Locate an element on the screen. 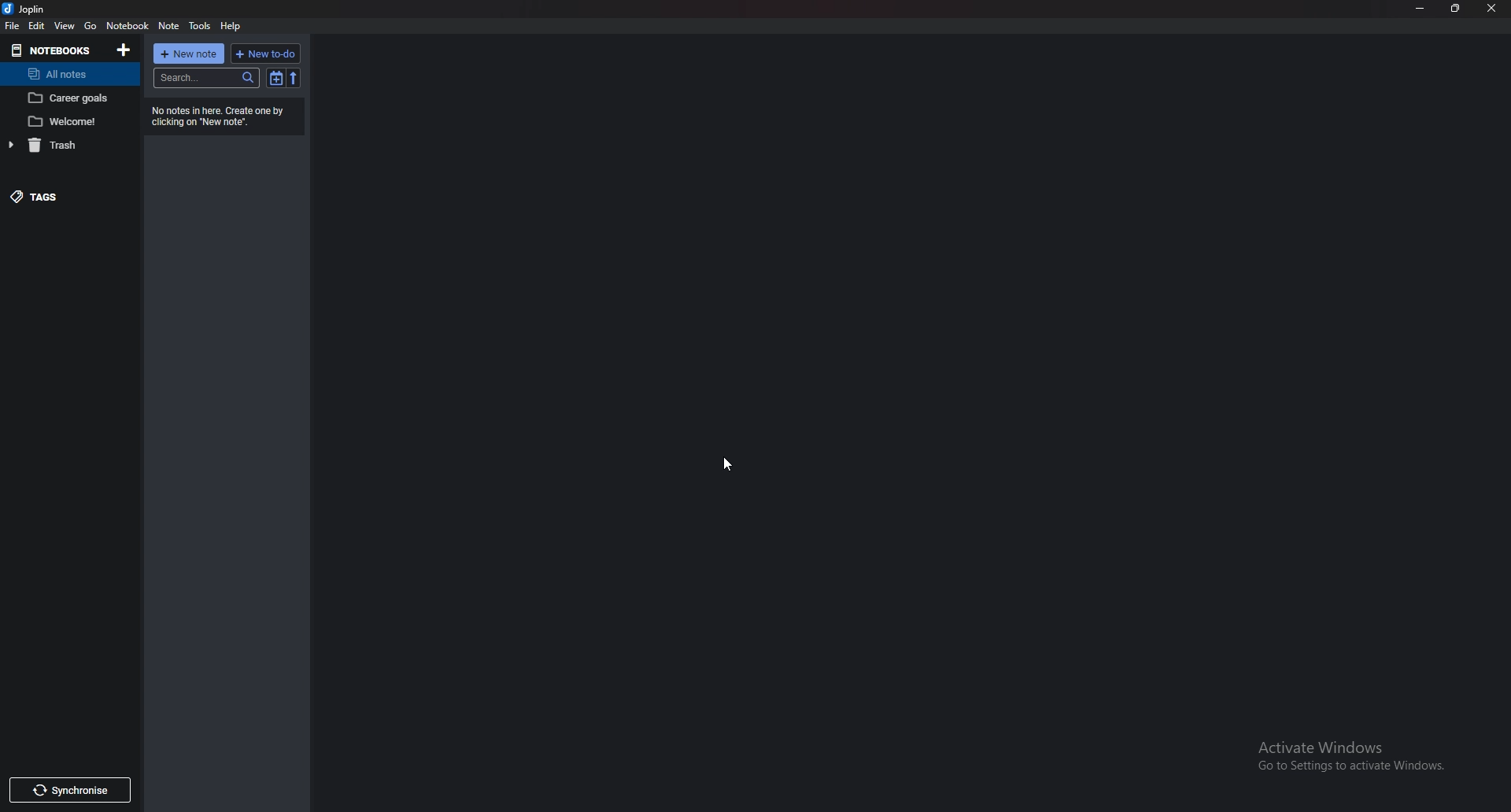 This screenshot has width=1511, height=812. all notes is located at coordinates (58, 75).